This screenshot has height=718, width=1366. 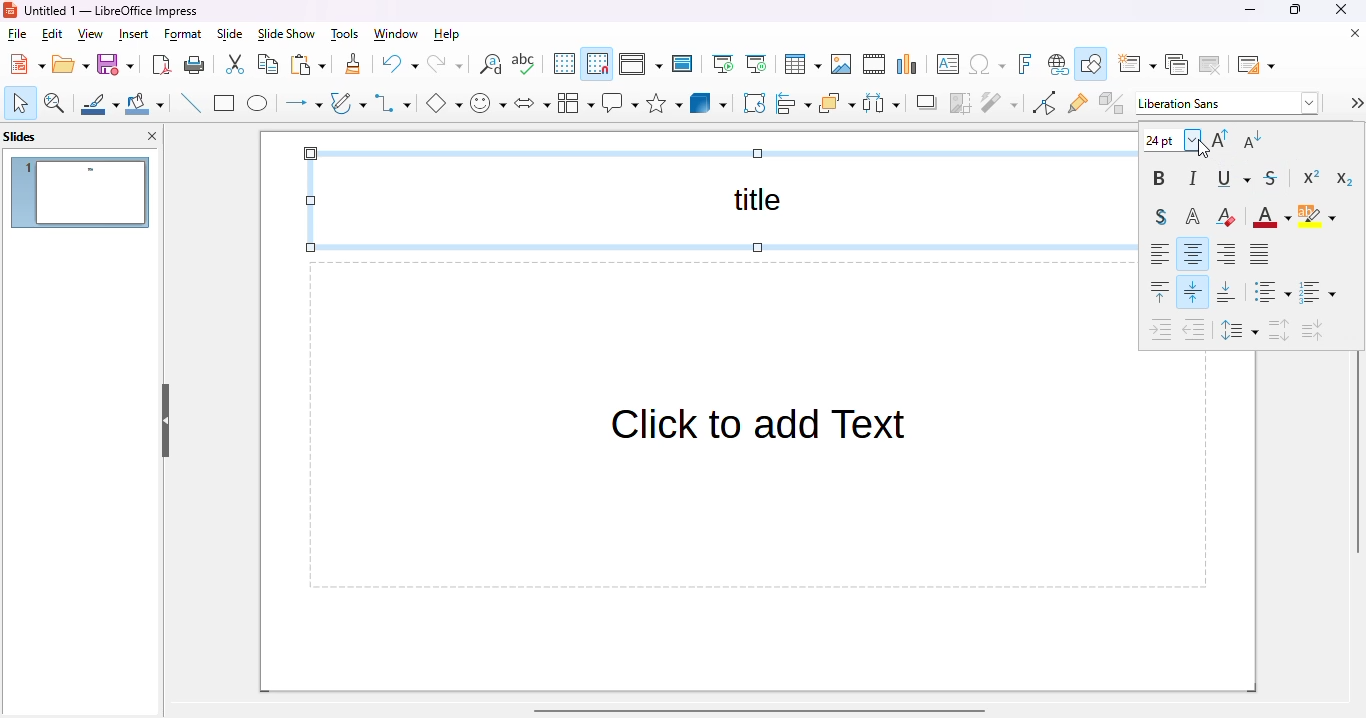 What do you see at coordinates (393, 103) in the screenshot?
I see `connectors` at bounding box center [393, 103].